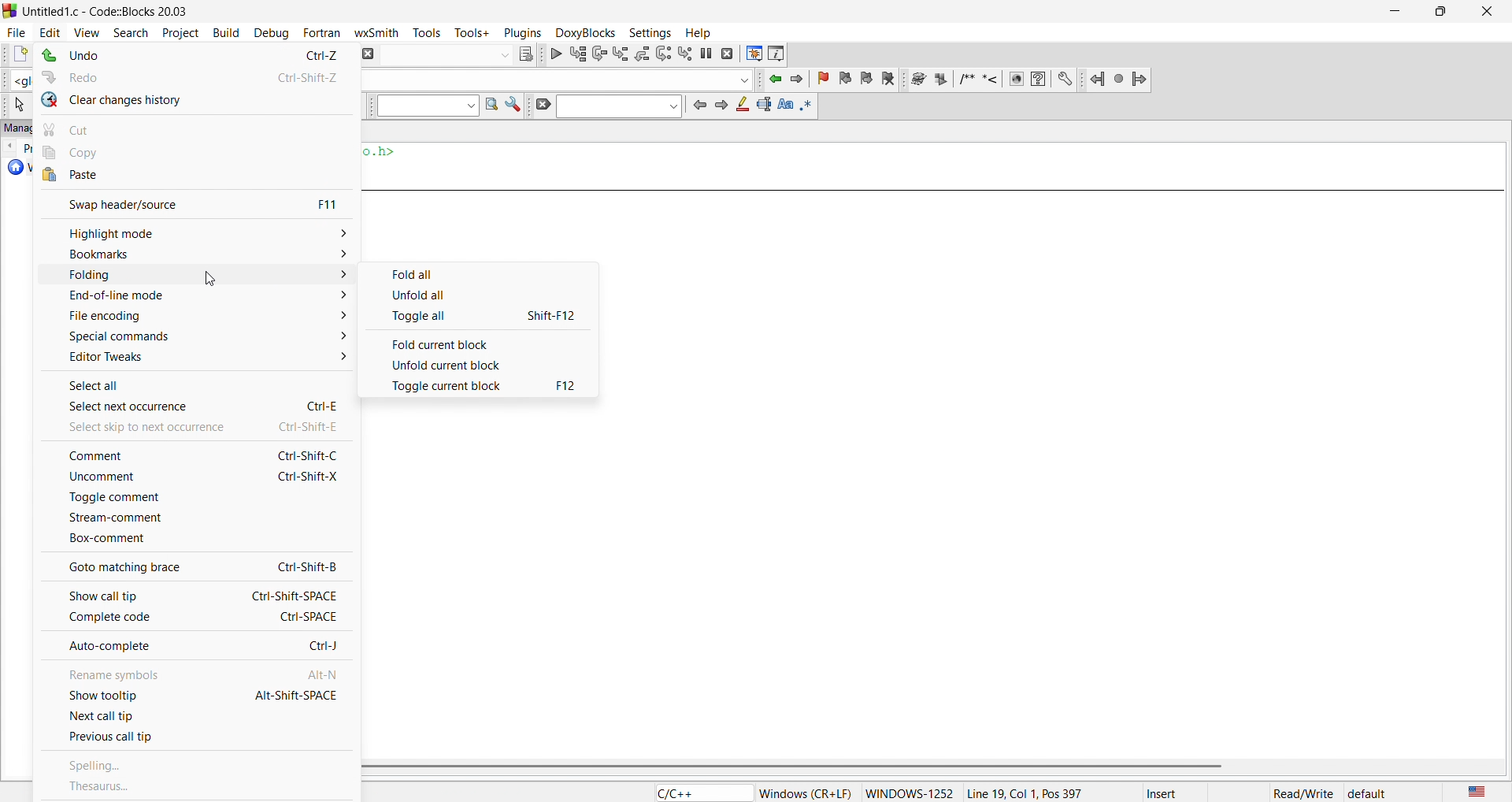  Describe the element at coordinates (191, 593) in the screenshot. I see `show call tip` at that location.